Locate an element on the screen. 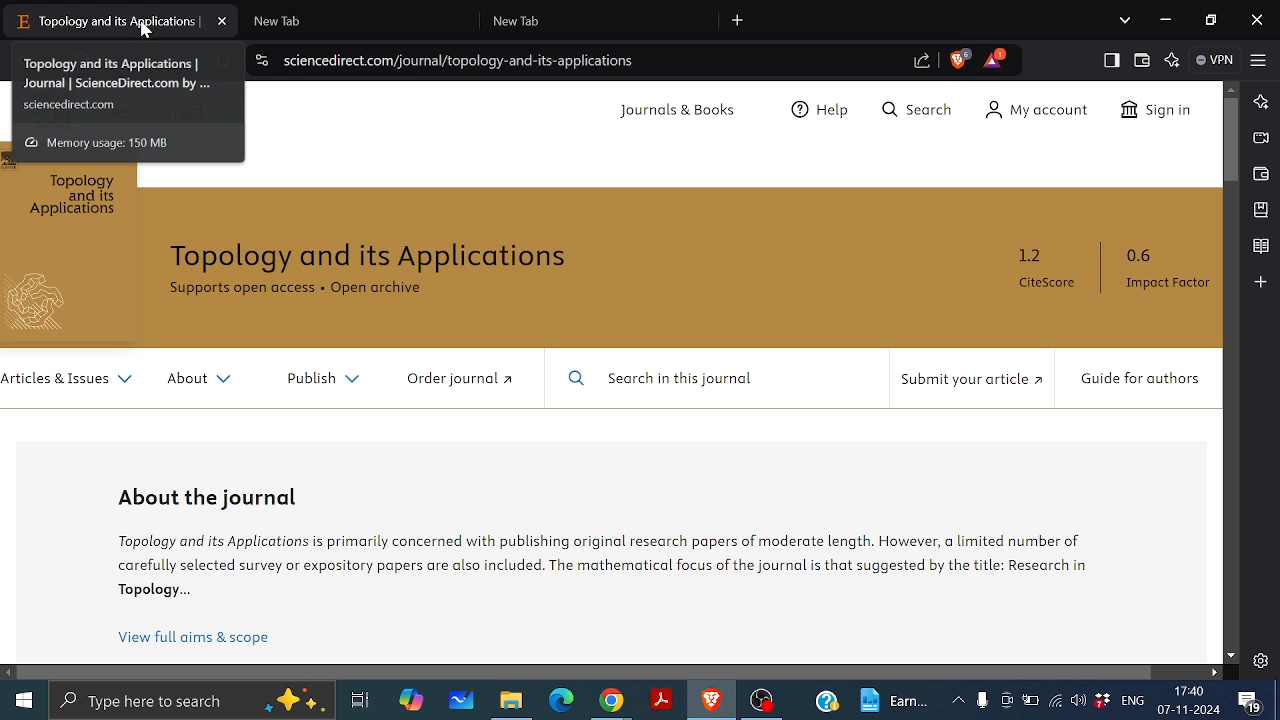 The width and height of the screenshot is (1280, 720). L is located at coordinates (1260, 102).